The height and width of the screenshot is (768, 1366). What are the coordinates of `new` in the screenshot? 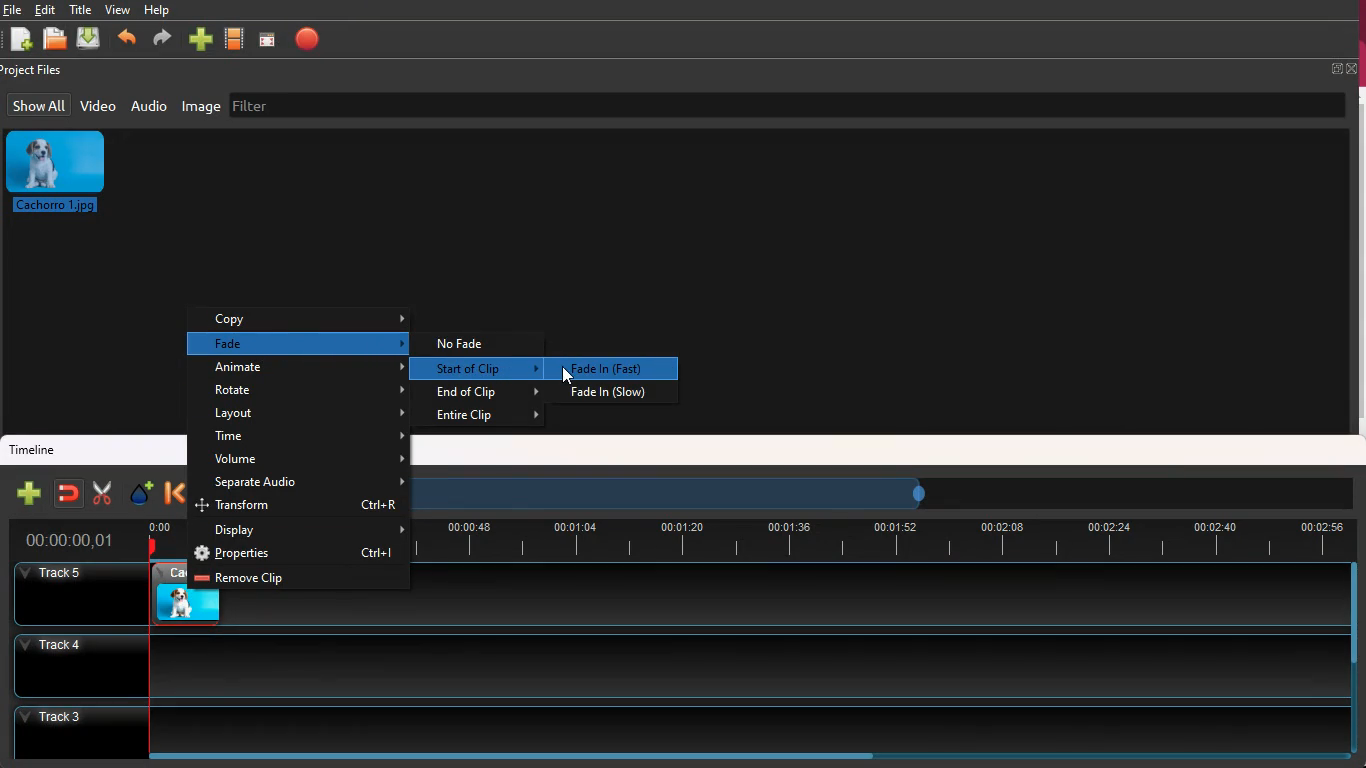 It's located at (20, 40).